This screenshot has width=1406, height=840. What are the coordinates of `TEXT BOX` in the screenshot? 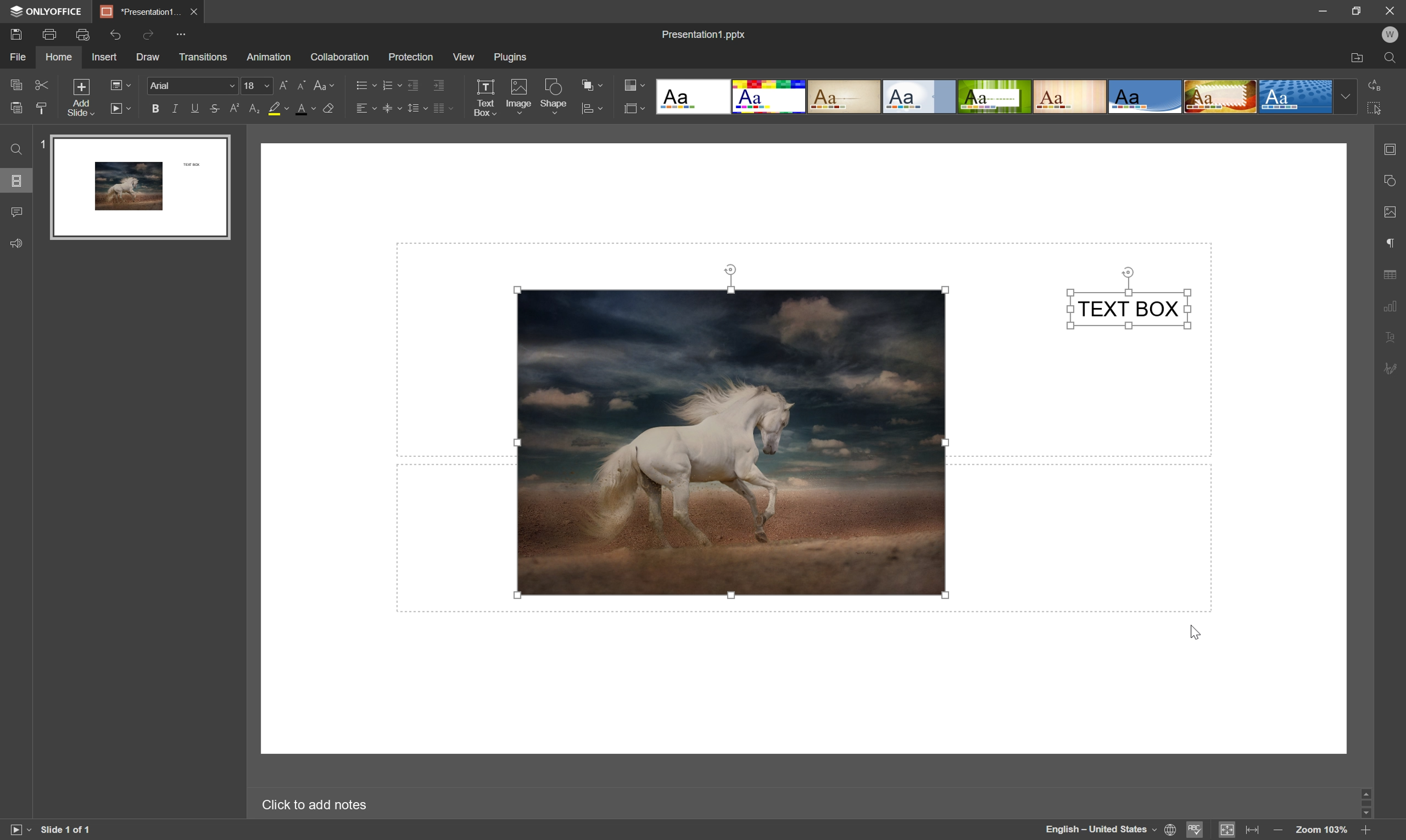 It's located at (1130, 310).